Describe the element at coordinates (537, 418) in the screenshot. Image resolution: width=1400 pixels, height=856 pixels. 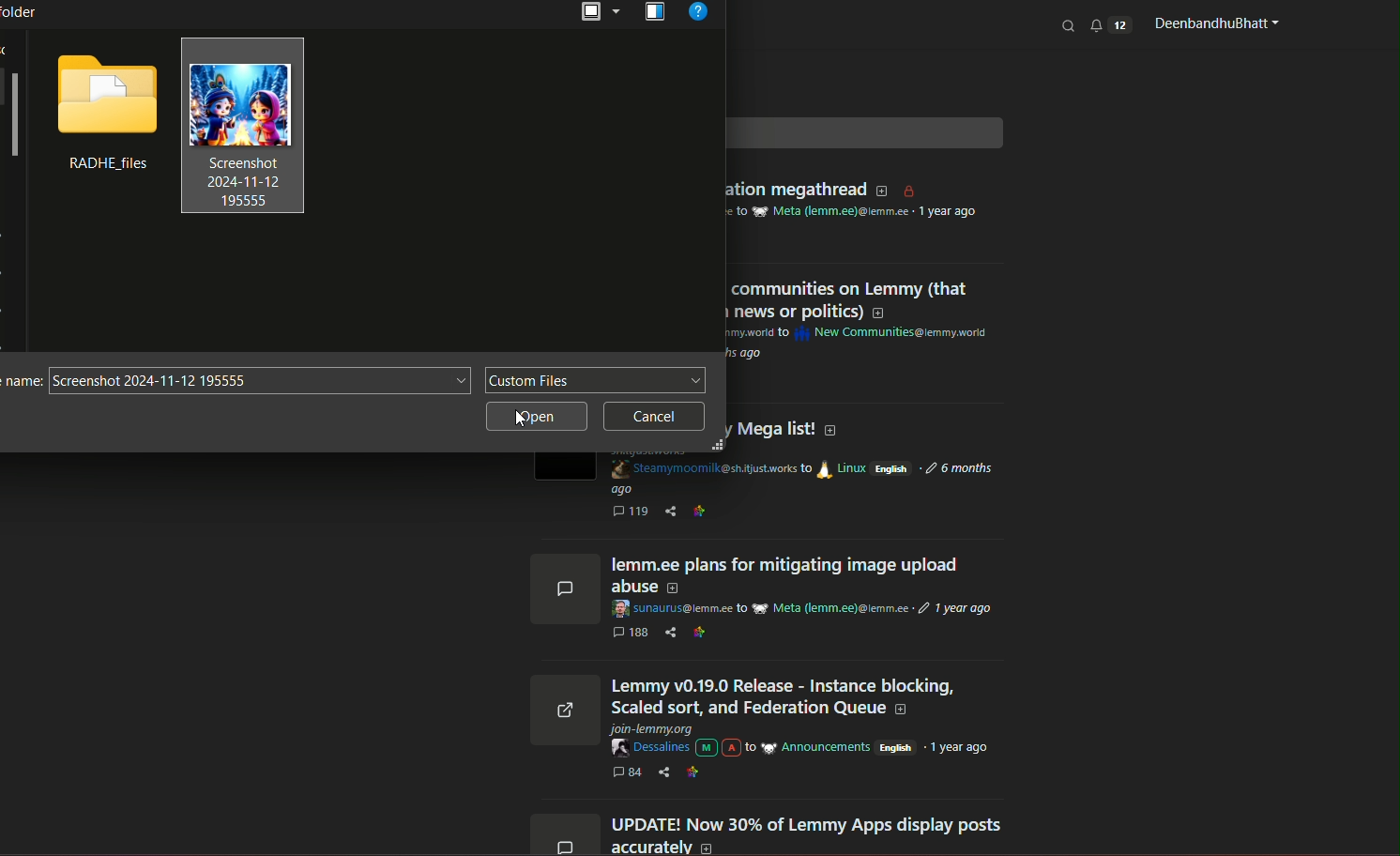
I see `open` at that location.